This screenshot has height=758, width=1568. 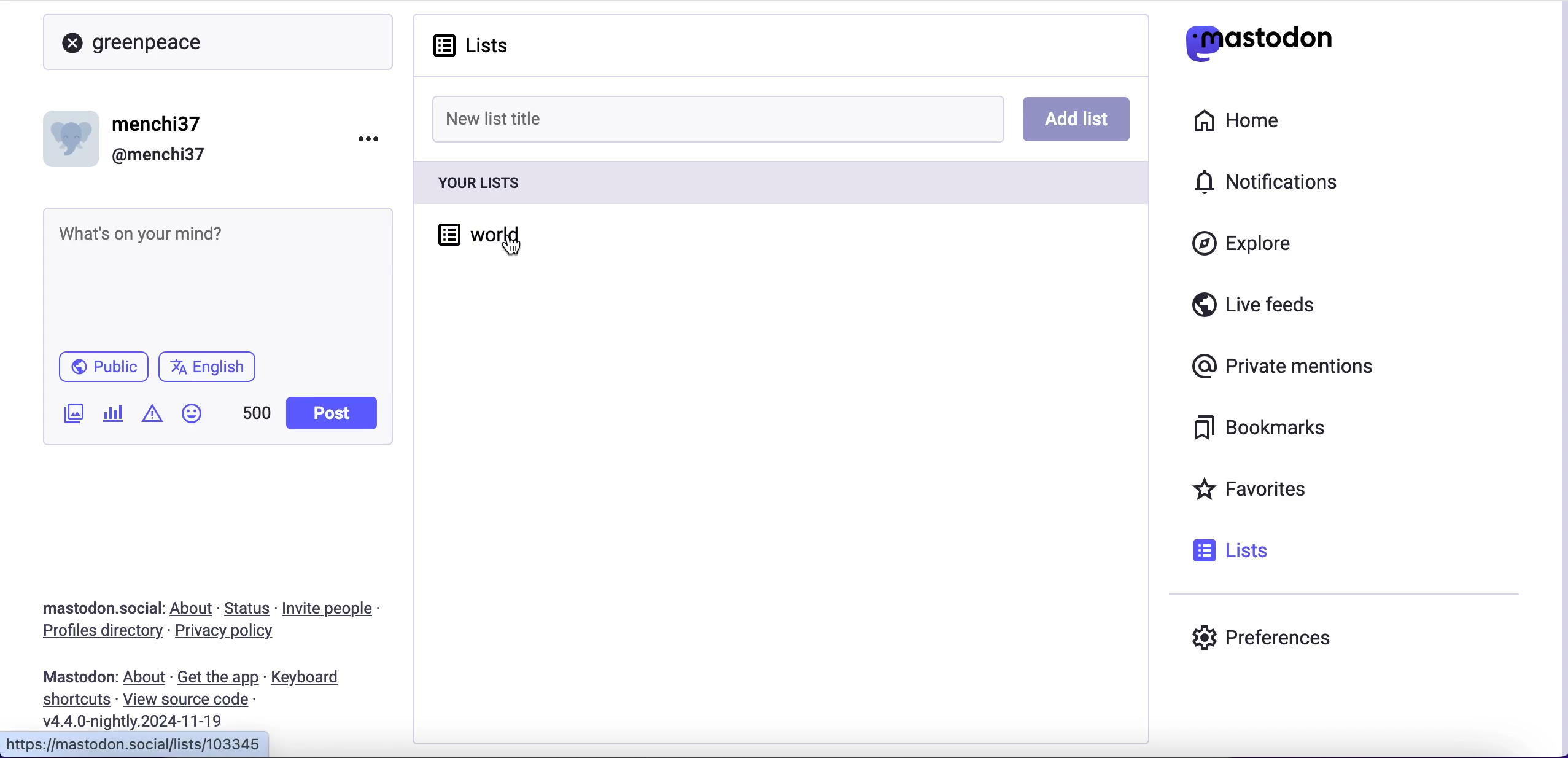 What do you see at coordinates (334, 609) in the screenshot?
I see `invite people` at bounding box center [334, 609].